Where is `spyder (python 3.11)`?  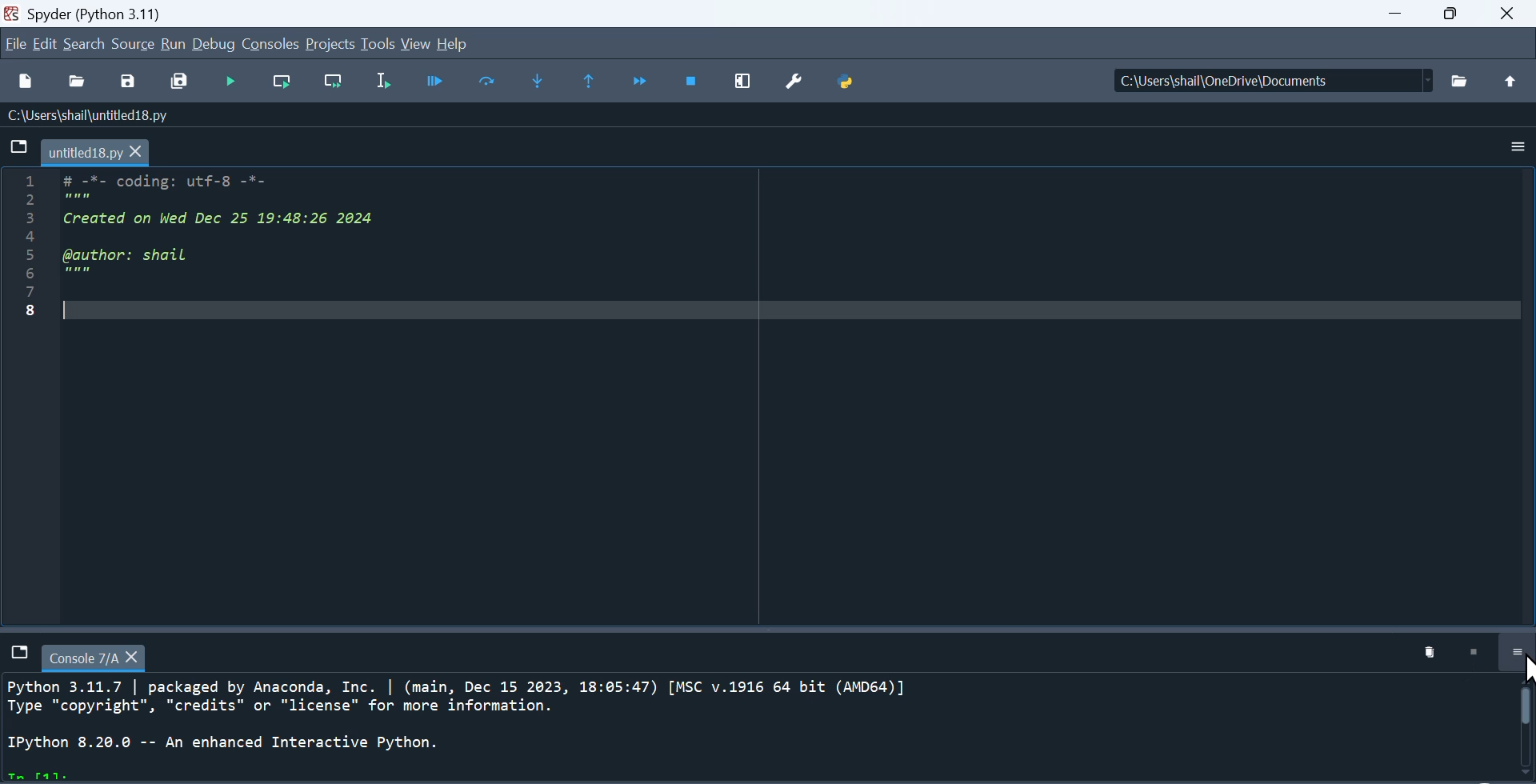
spyder (python 3.11) is located at coordinates (110, 15).